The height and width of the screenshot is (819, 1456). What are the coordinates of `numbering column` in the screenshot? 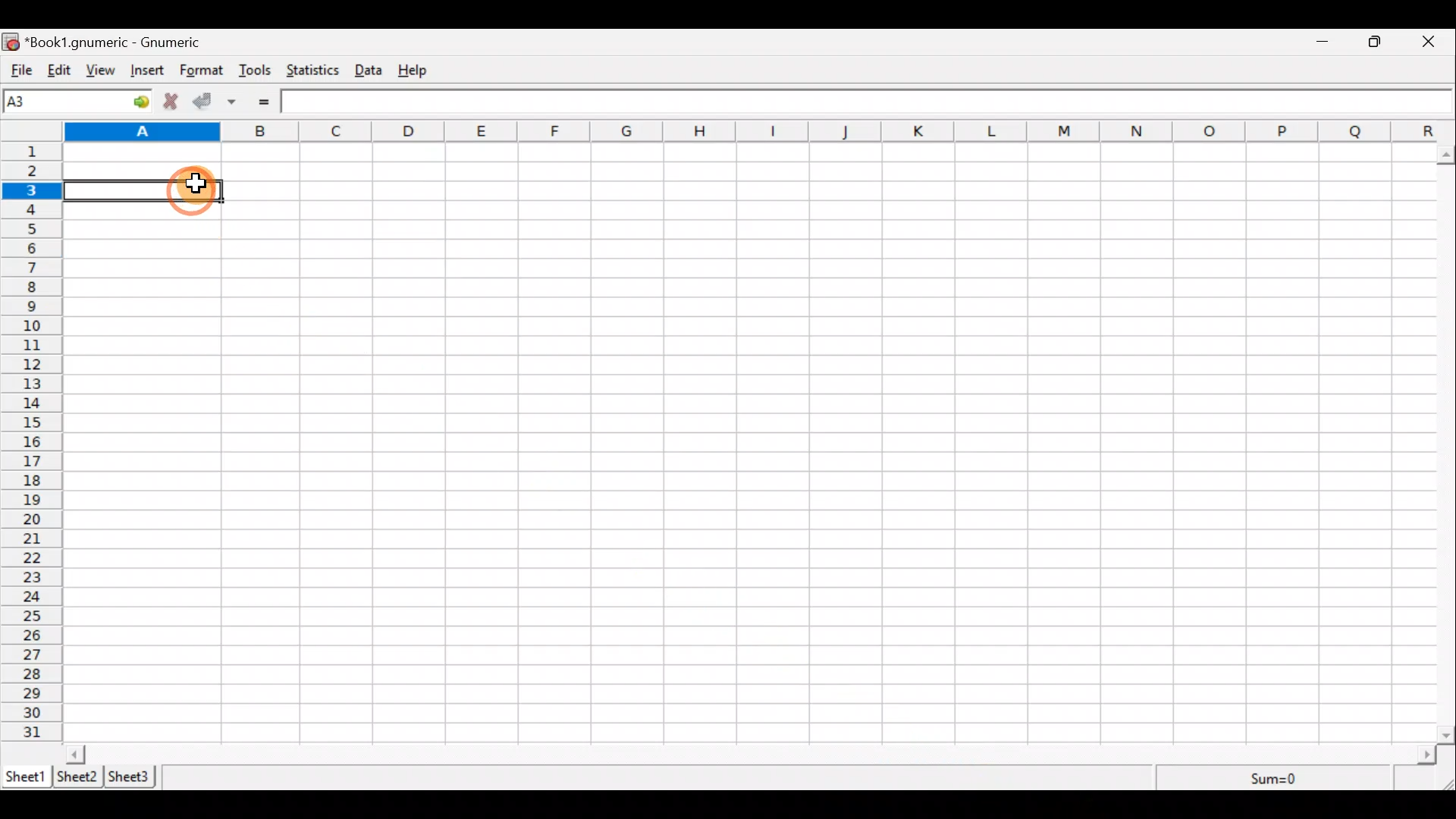 It's located at (35, 444).